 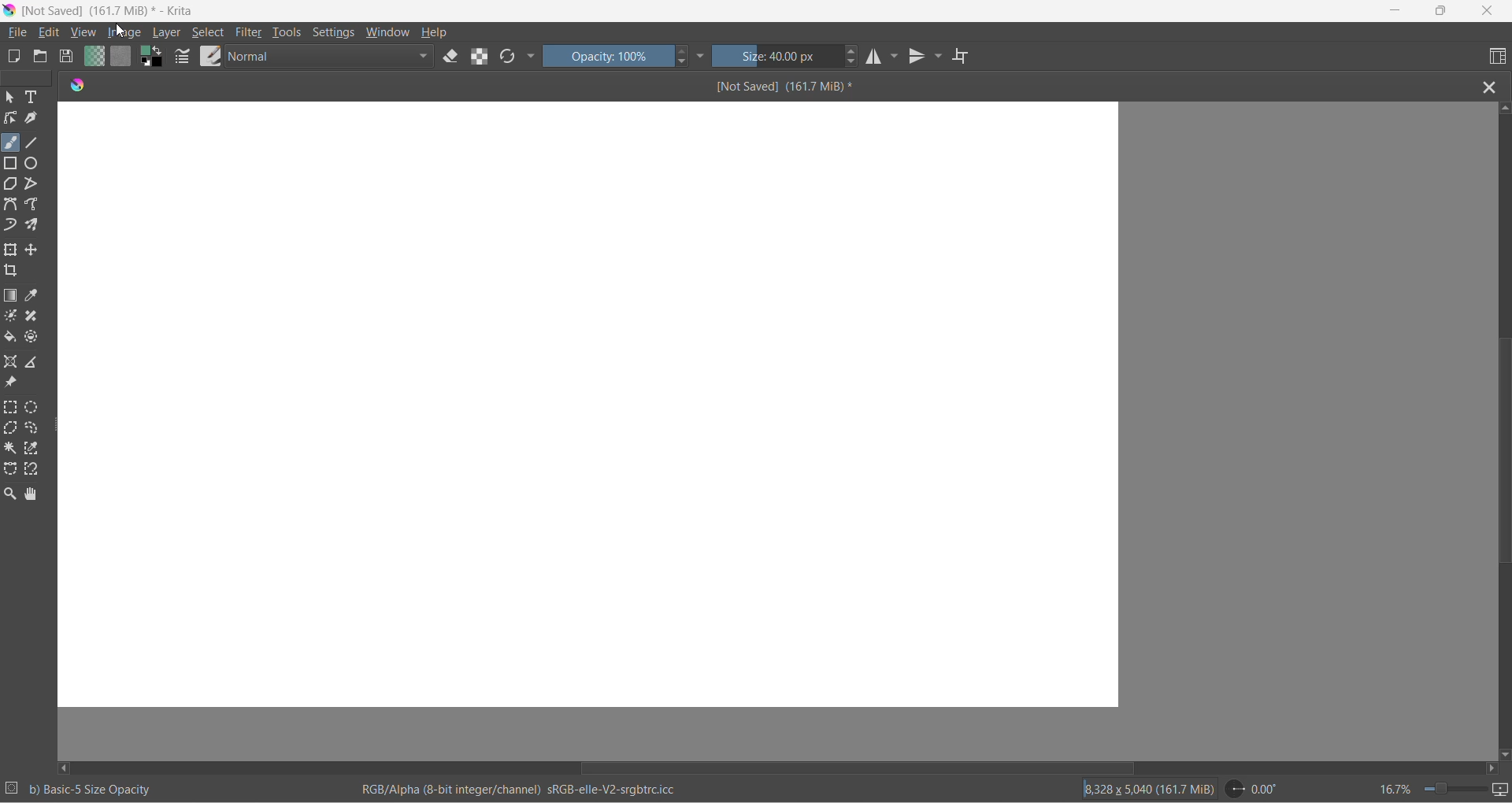 What do you see at coordinates (531, 57) in the screenshot?
I see `more options dropdown button` at bounding box center [531, 57].